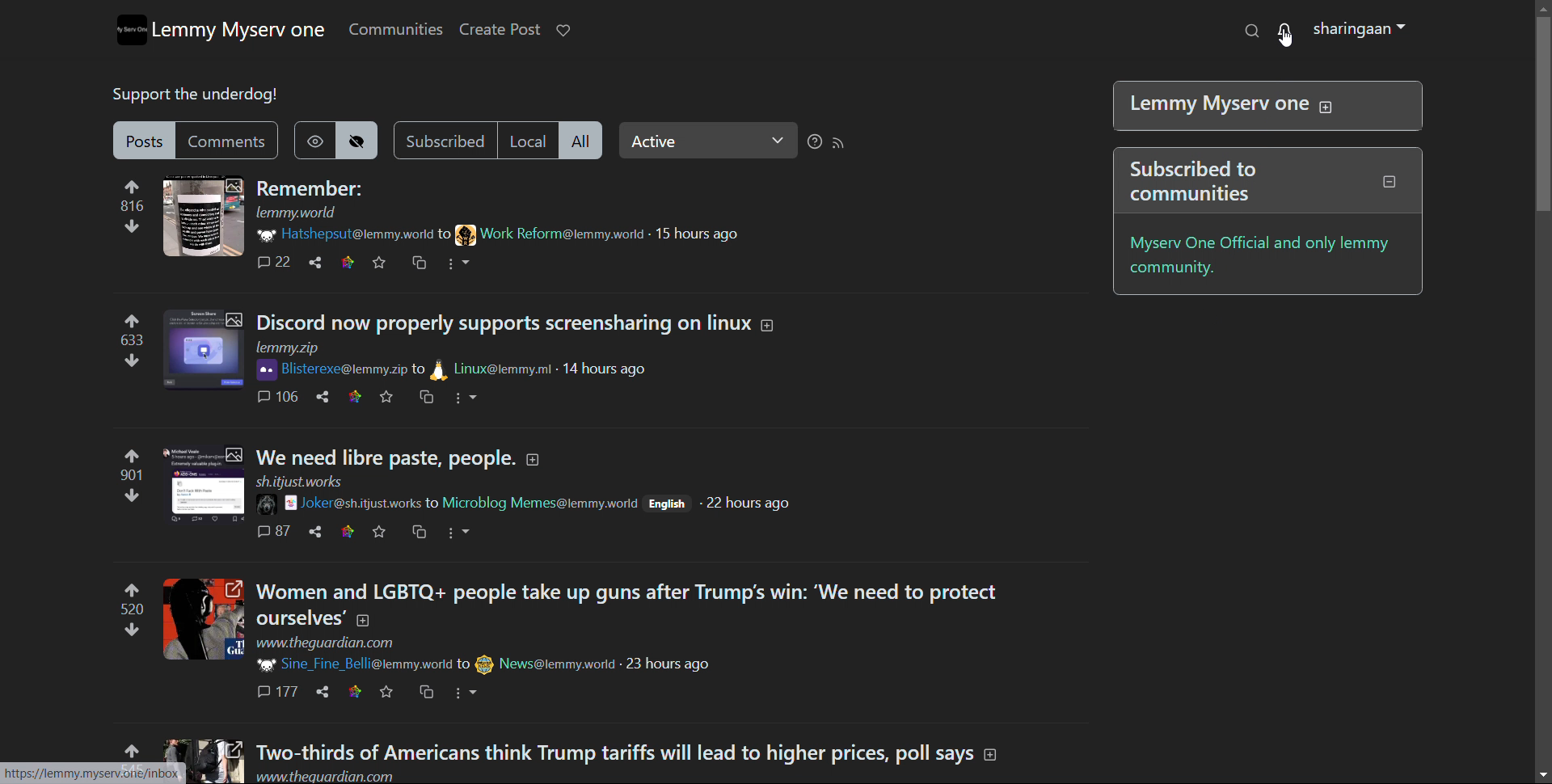  What do you see at coordinates (647, 605) in the screenshot?
I see `Women and LGBTQ+ people take up guns after Trump's win. We need 10 protect ourselves’` at bounding box center [647, 605].